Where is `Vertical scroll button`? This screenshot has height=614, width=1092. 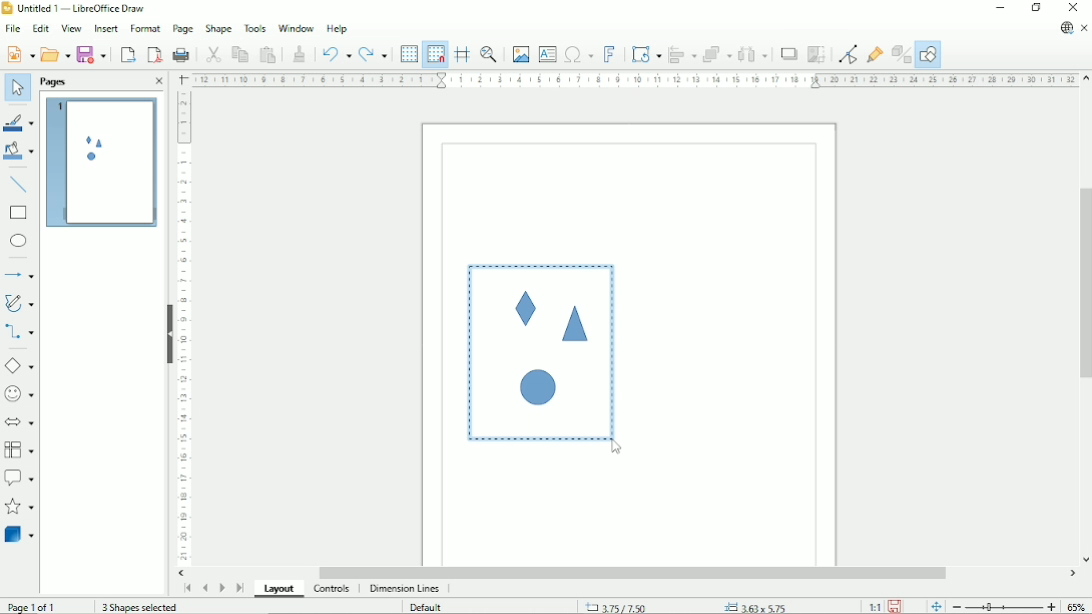
Vertical scroll button is located at coordinates (1085, 560).